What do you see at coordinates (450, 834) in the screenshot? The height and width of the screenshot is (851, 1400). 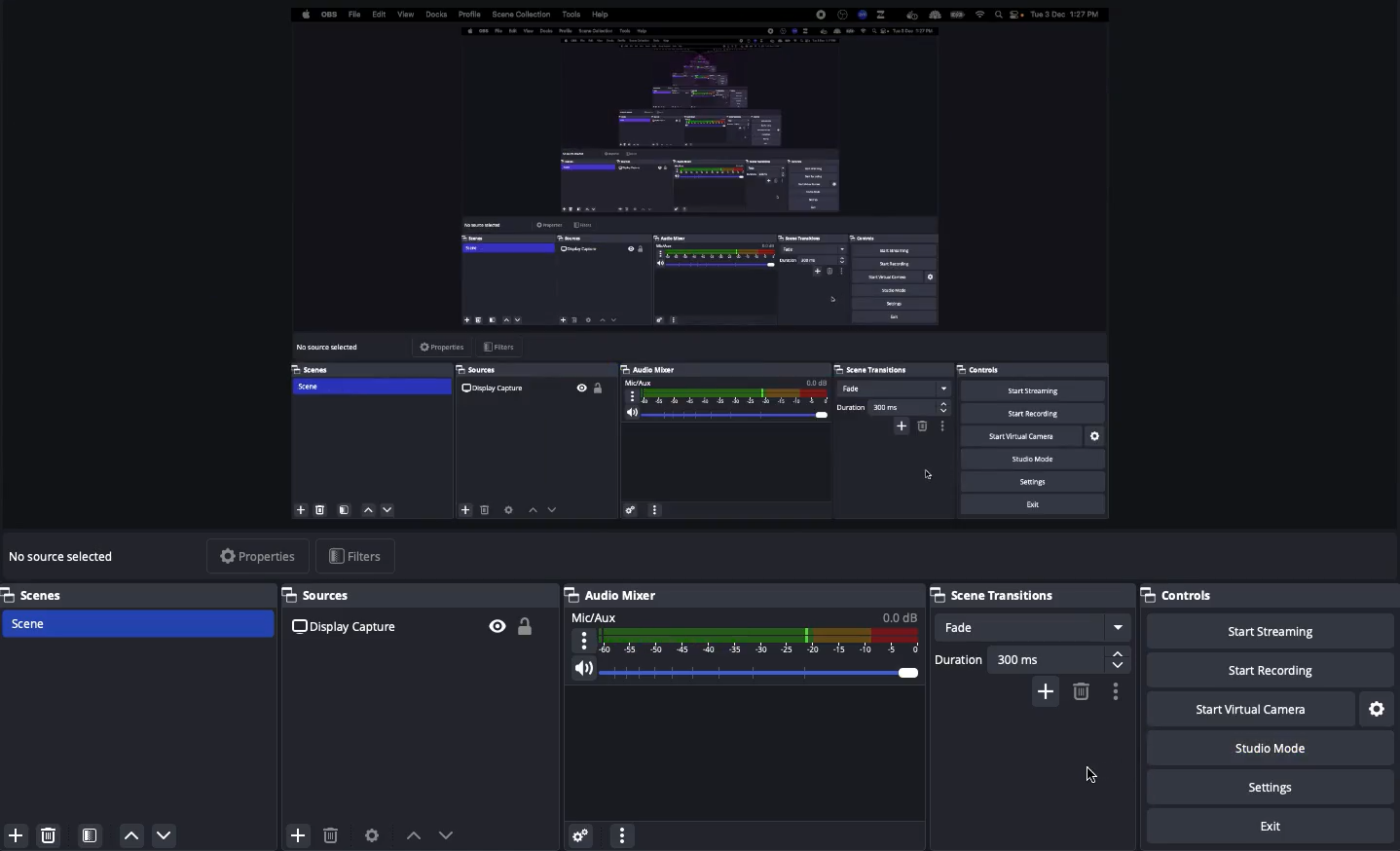 I see `Move down` at bounding box center [450, 834].